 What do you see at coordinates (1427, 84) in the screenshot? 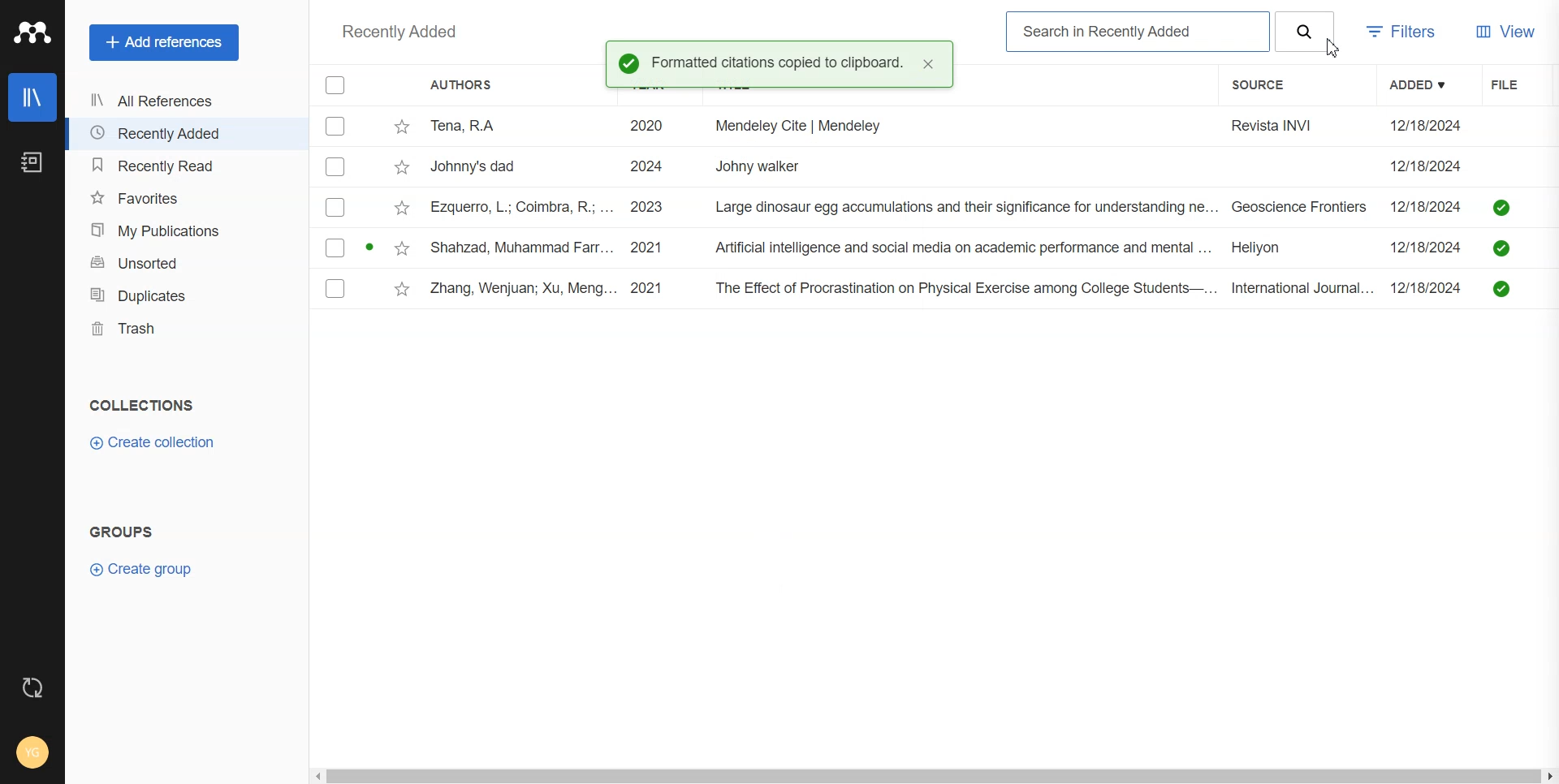
I see `Added` at bounding box center [1427, 84].